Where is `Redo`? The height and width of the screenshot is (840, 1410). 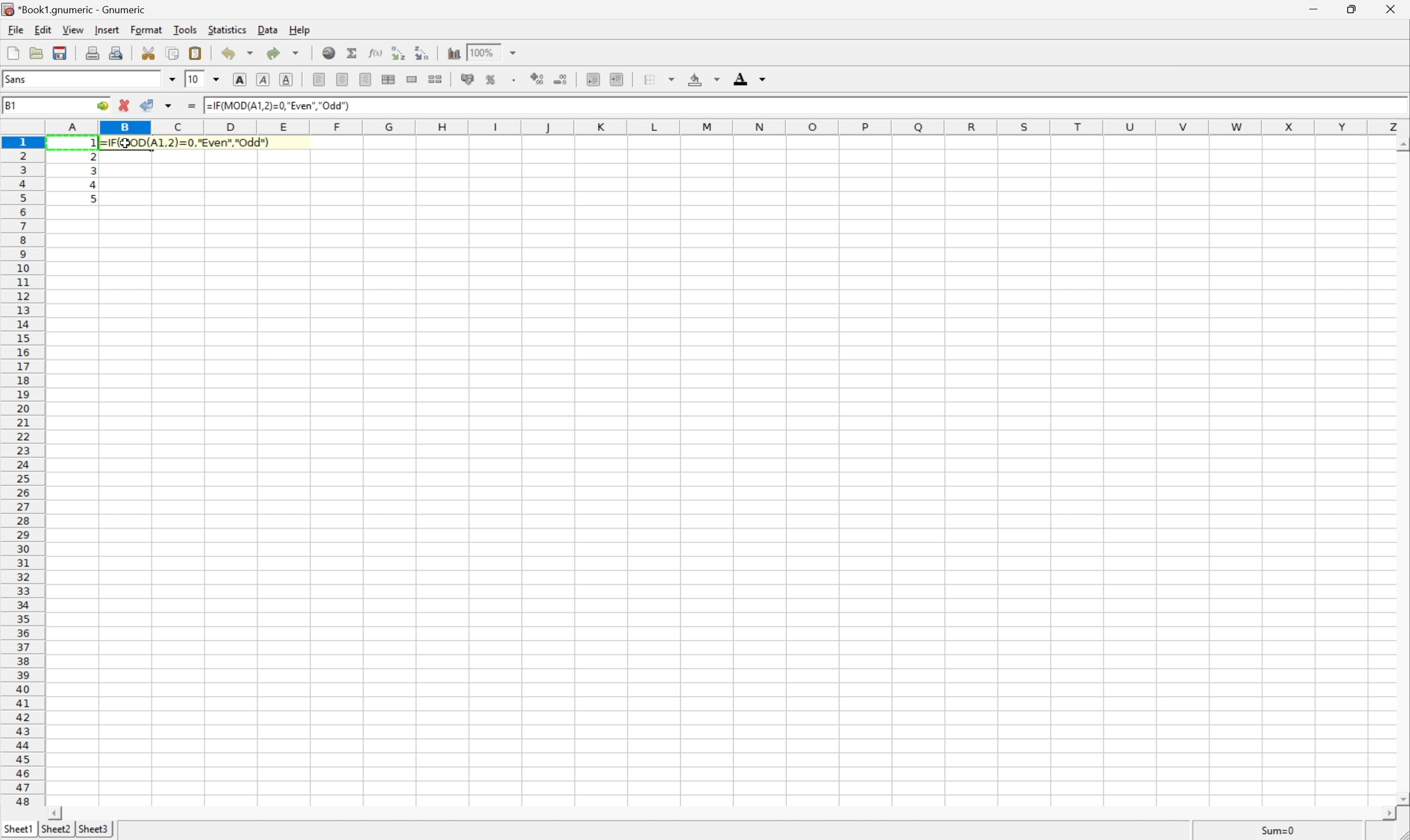 Redo is located at coordinates (288, 52).